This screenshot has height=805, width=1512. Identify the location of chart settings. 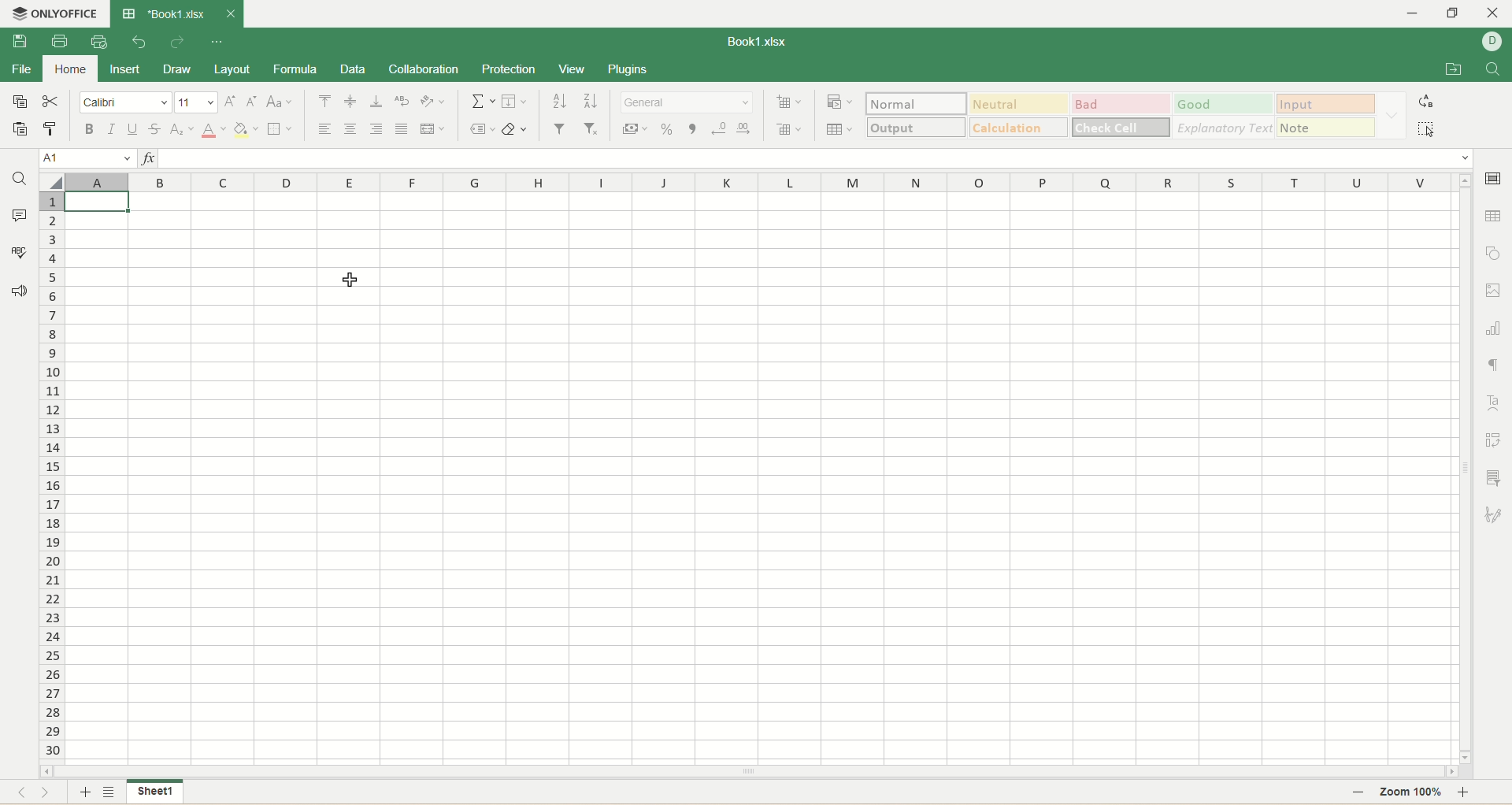
(1494, 329).